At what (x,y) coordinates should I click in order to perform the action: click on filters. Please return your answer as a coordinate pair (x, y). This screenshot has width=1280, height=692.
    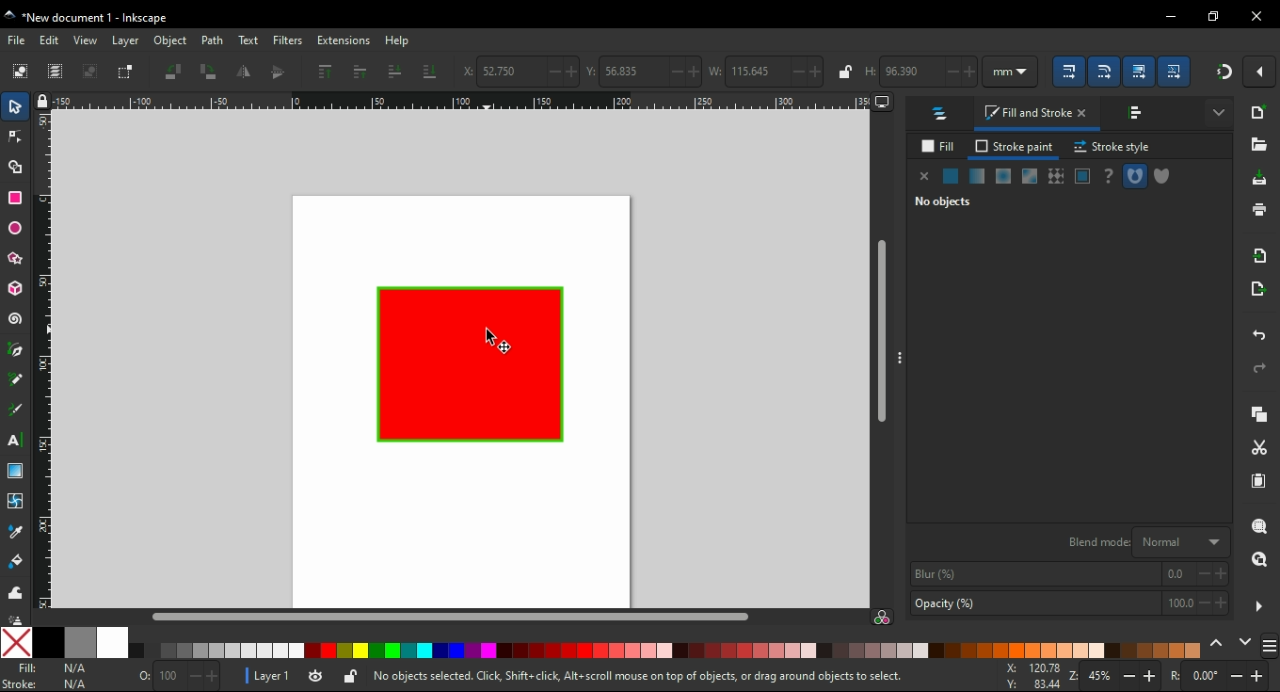
    Looking at the image, I should click on (288, 41).